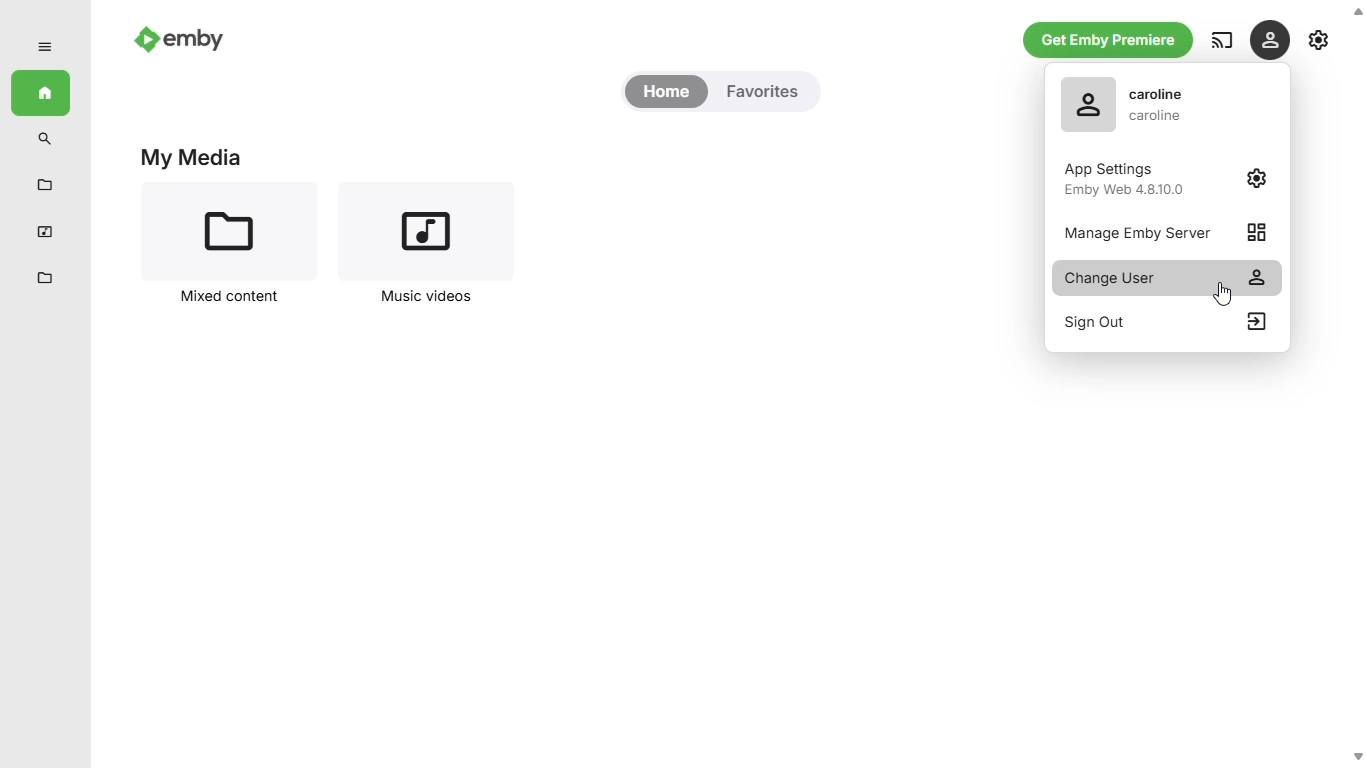  What do you see at coordinates (762, 92) in the screenshot?
I see `favorites` at bounding box center [762, 92].